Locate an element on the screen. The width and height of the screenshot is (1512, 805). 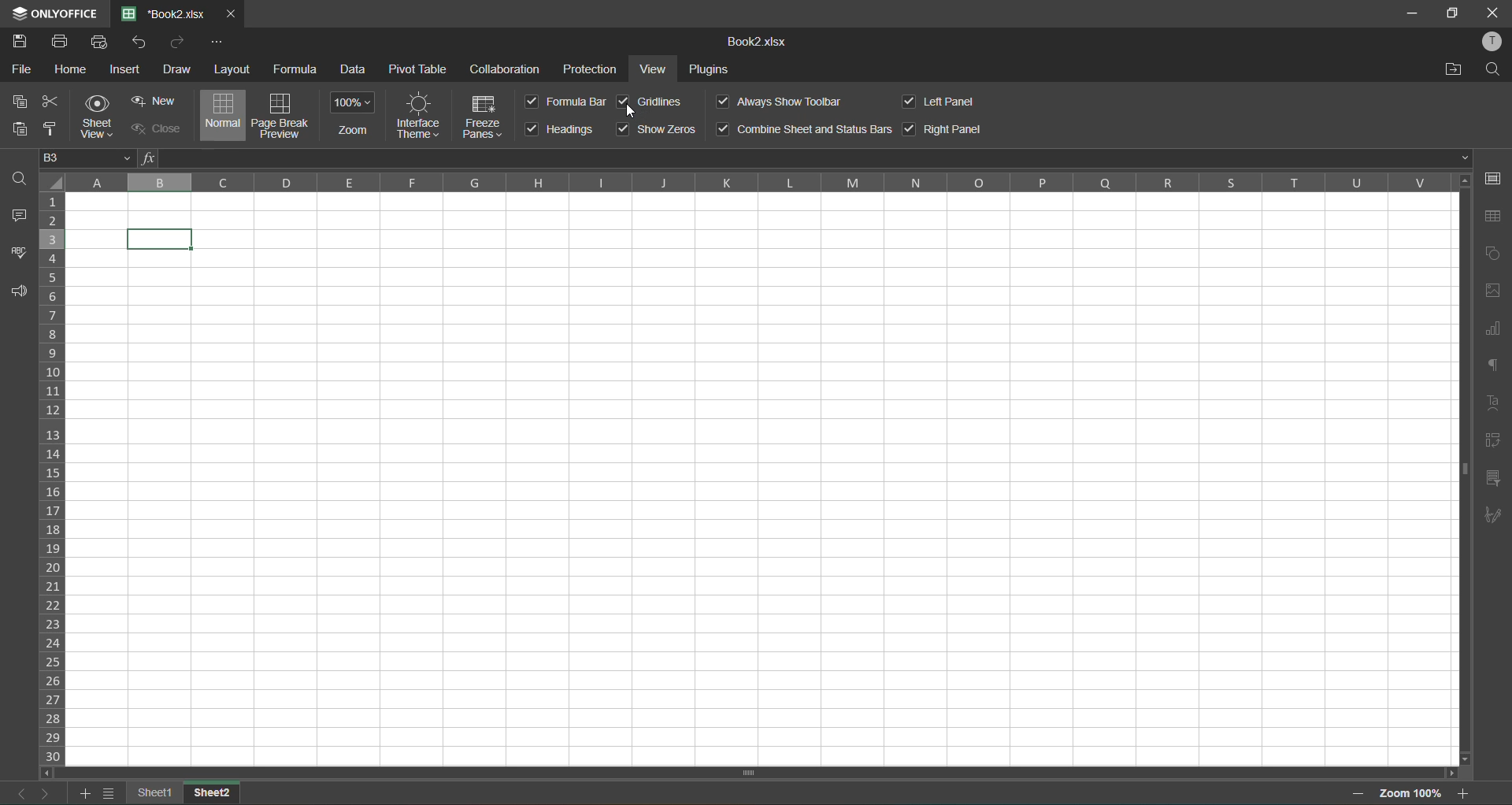
sheet view is located at coordinates (102, 117).